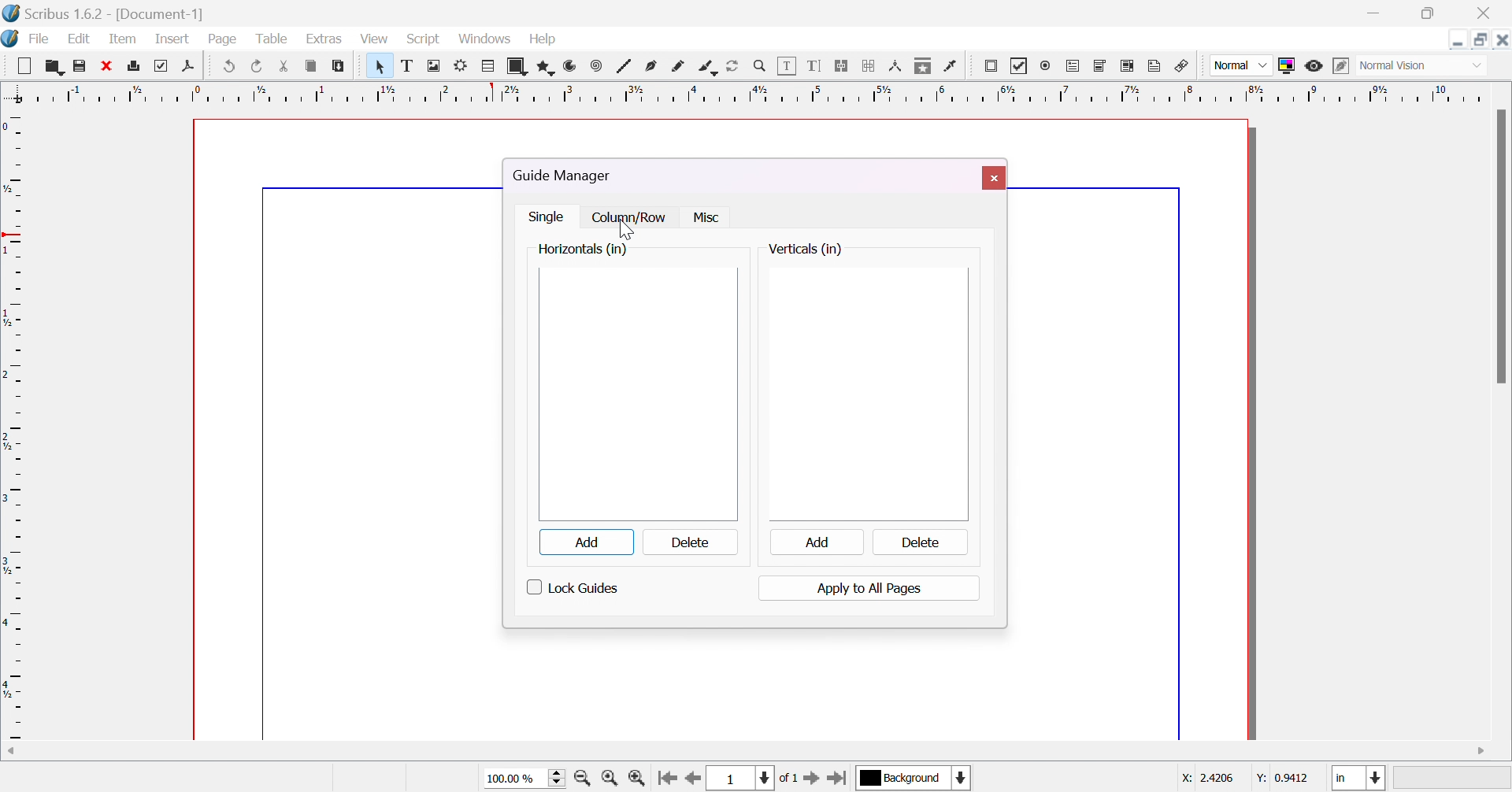 This screenshot has height=792, width=1512. Describe the element at coordinates (596, 65) in the screenshot. I see `spiral` at that location.